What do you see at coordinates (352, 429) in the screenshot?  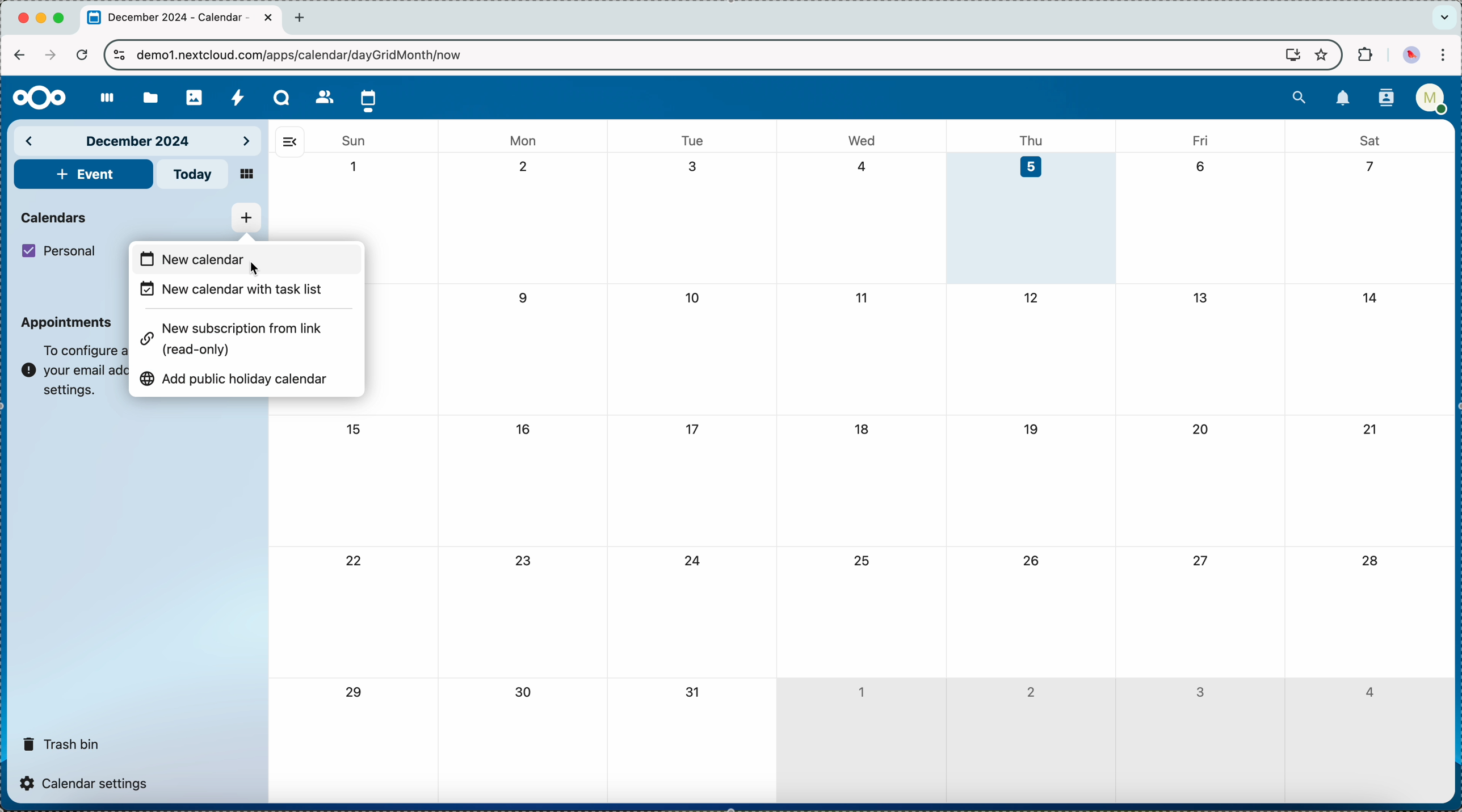 I see `15` at bounding box center [352, 429].